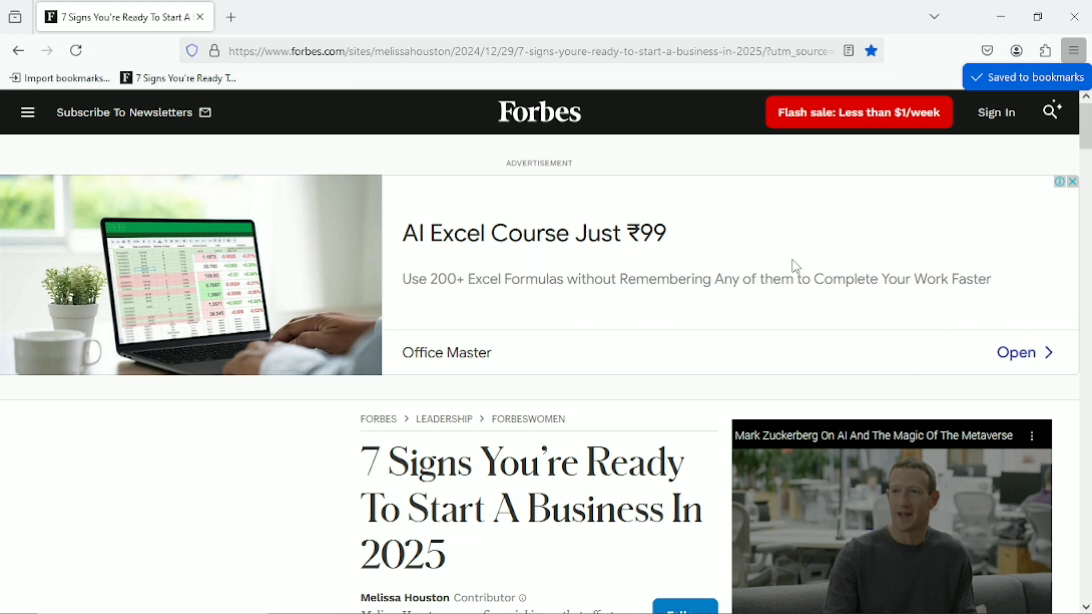 Image resolution: width=1092 pixels, height=614 pixels. I want to click on Save to pocket, so click(987, 49).